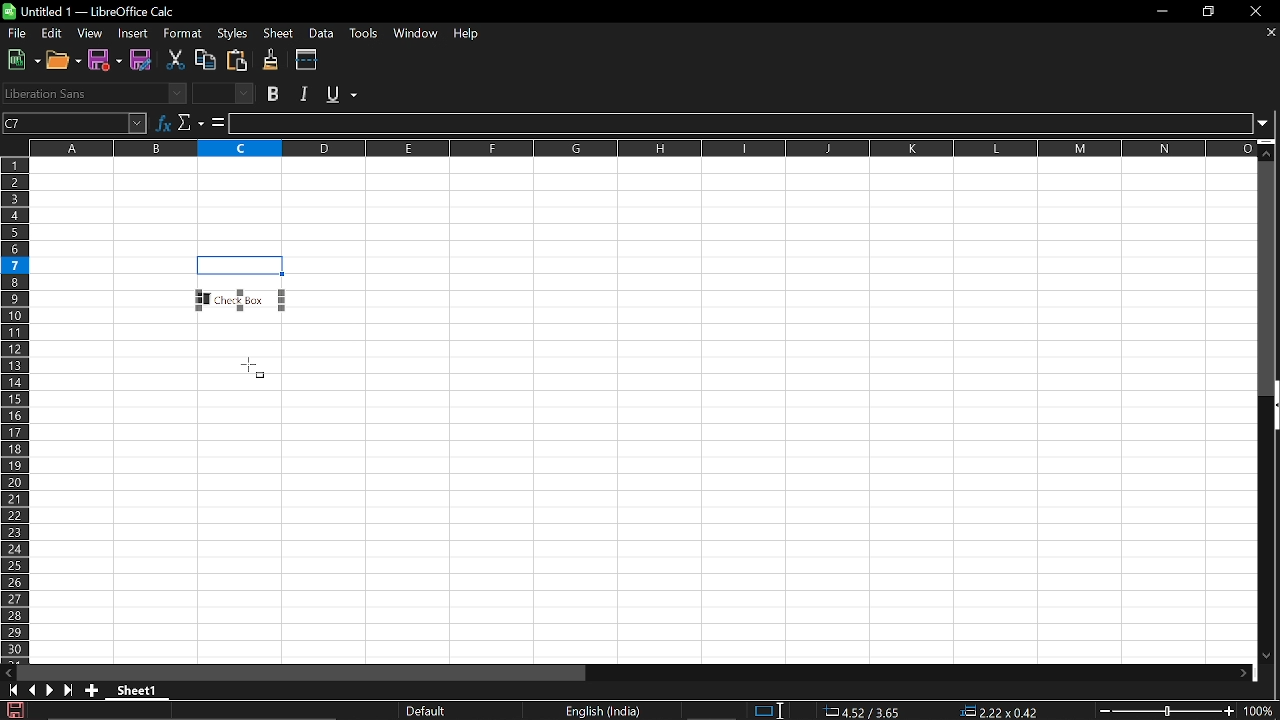  Describe the element at coordinates (307, 94) in the screenshot. I see `Italic` at that location.